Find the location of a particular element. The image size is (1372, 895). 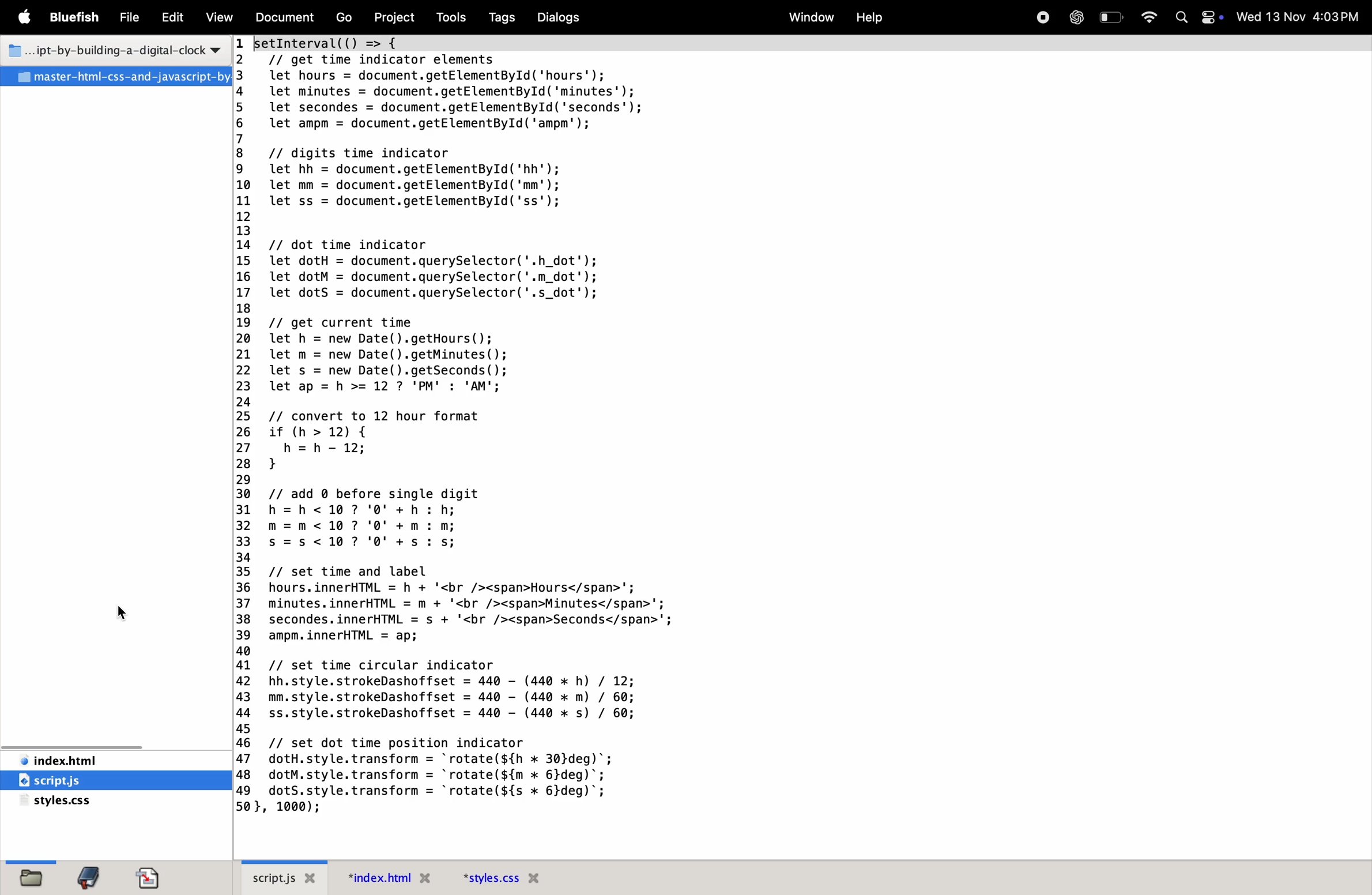

Document is located at coordinates (149, 874).